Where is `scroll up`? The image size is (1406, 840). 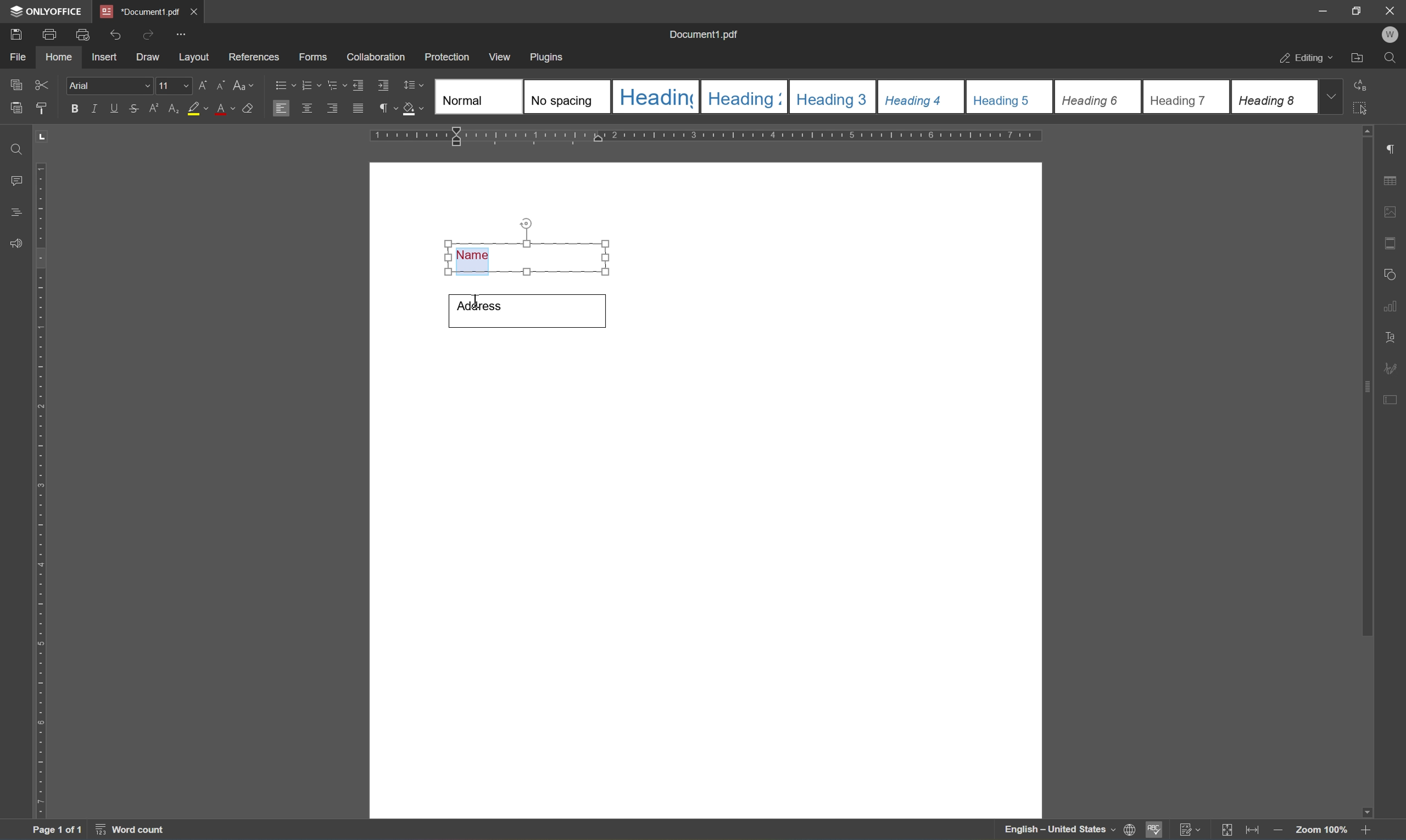 scroll up is located at coordinates (1373, 130).